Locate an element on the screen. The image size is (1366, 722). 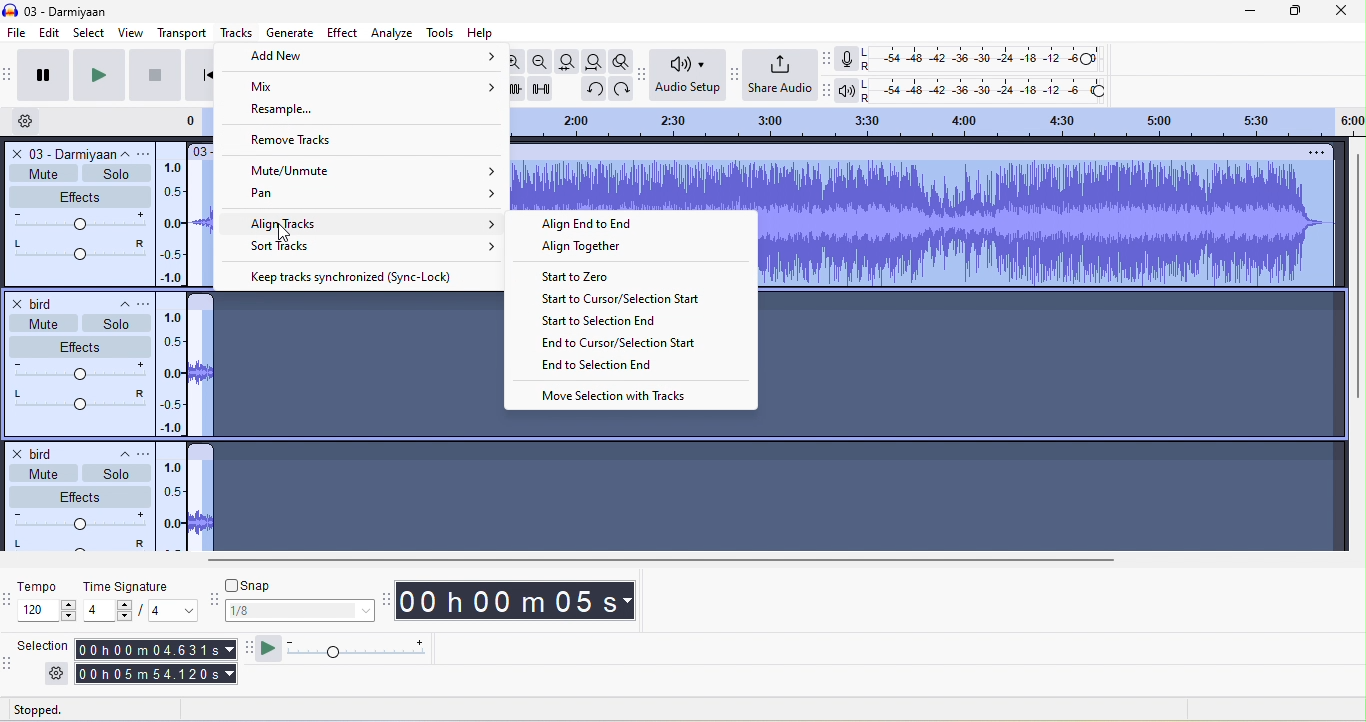
o3 darmiyaan is located at coordinates (59, 152).